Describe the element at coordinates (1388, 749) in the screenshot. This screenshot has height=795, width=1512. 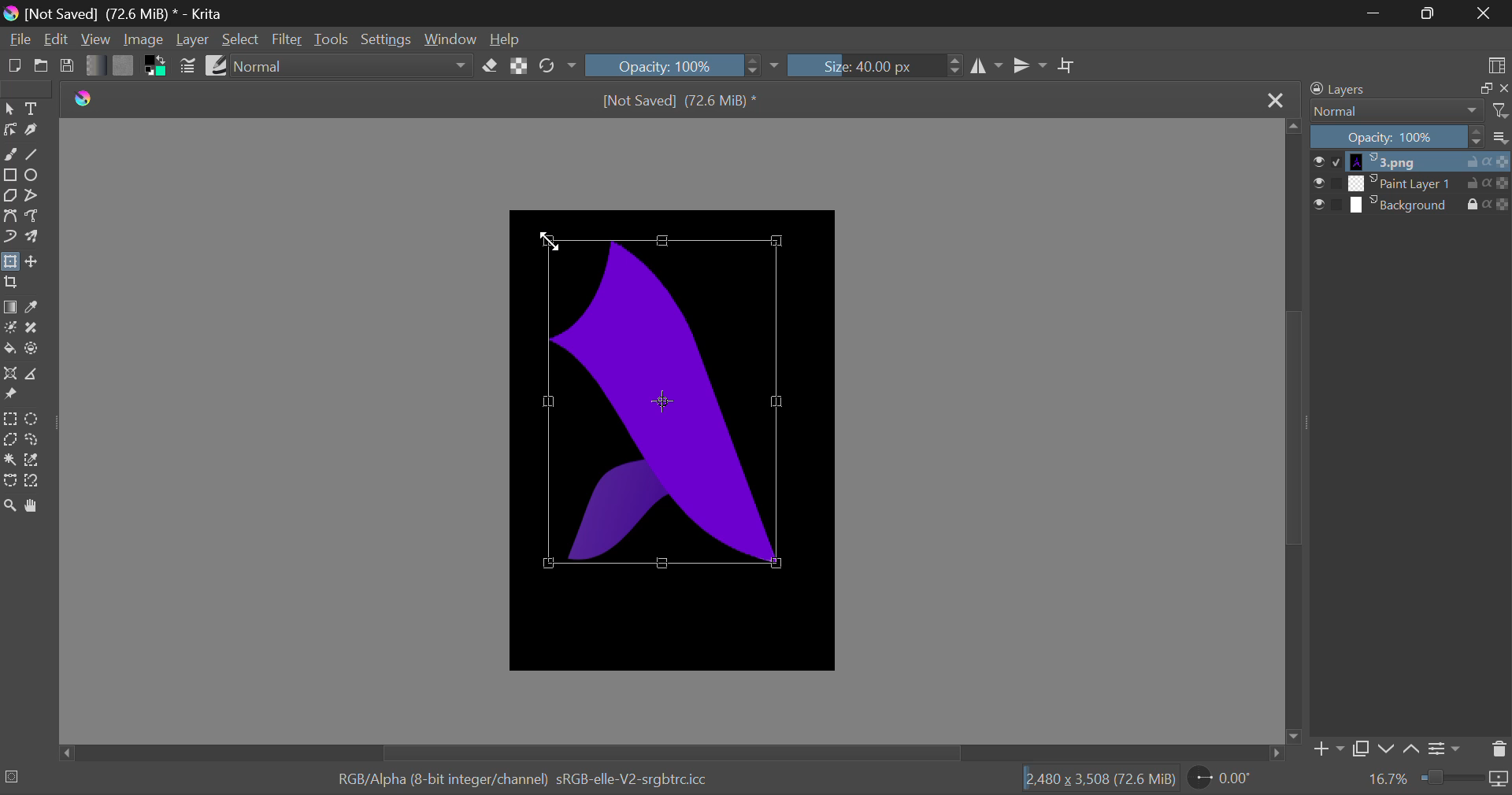
I see `down Movement of Layer` at that location.